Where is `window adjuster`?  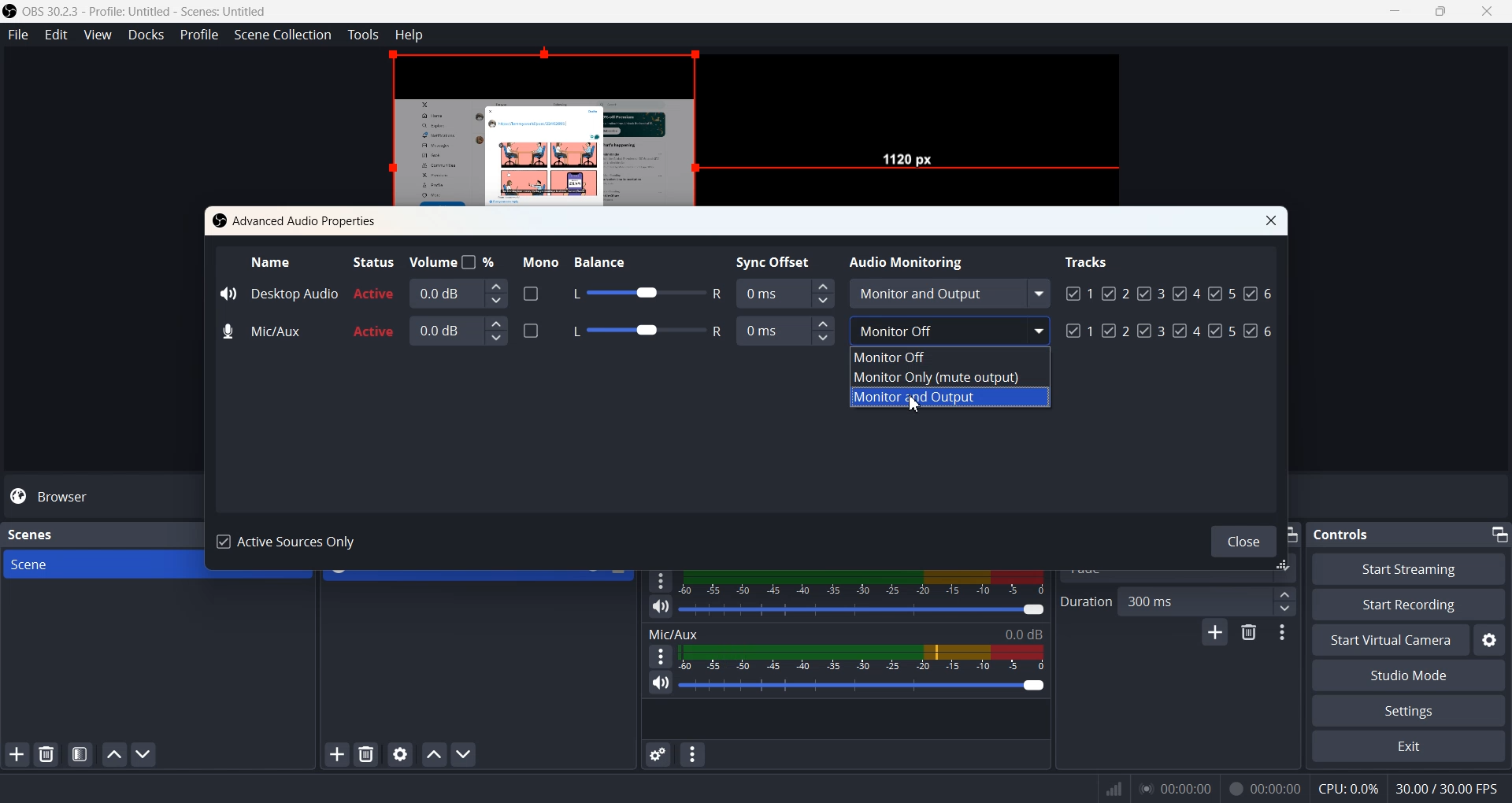
window adjuster is located at coordinates (1285, 567).